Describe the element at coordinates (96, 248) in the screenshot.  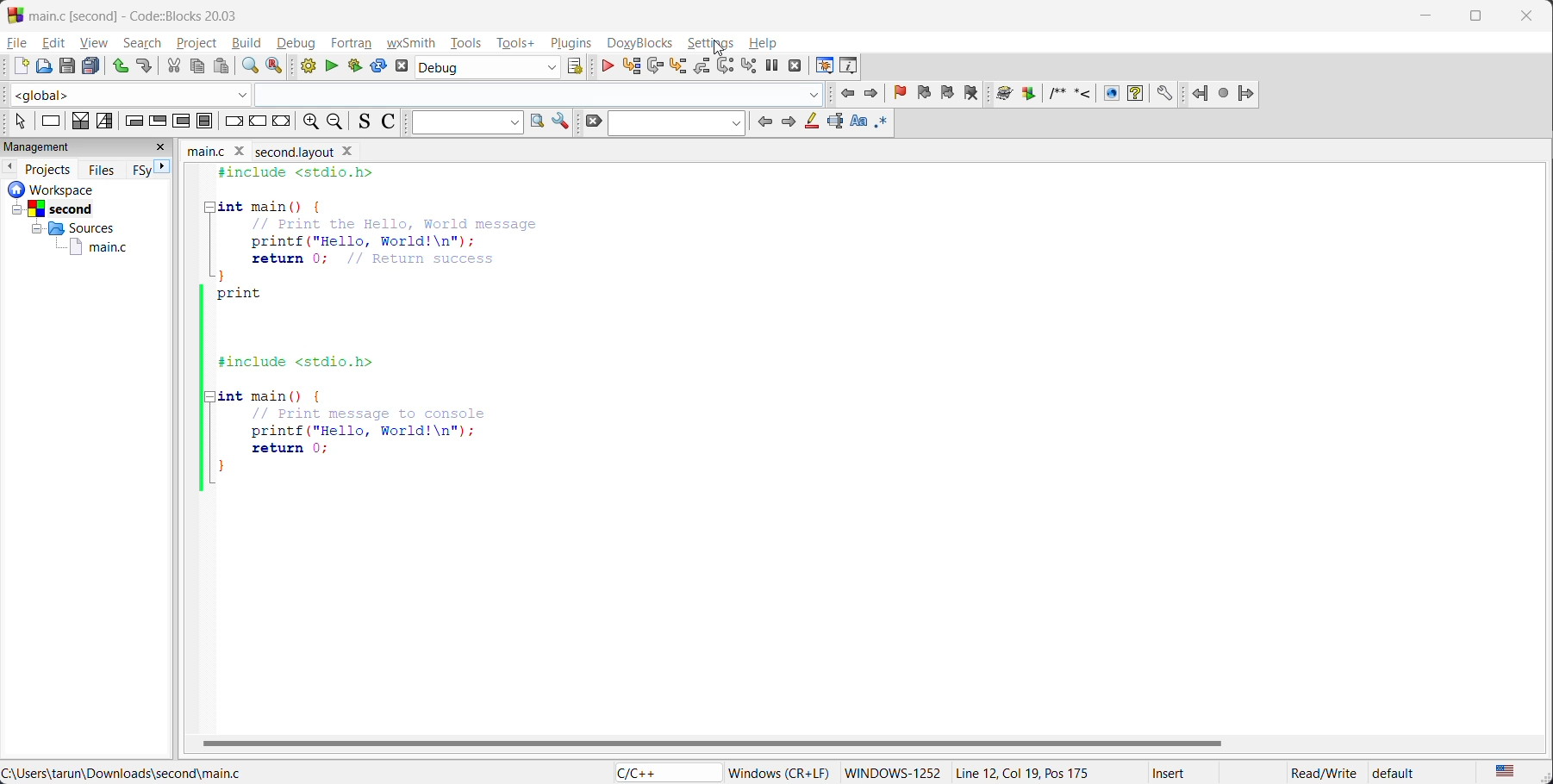
I see `main.c` at that location.